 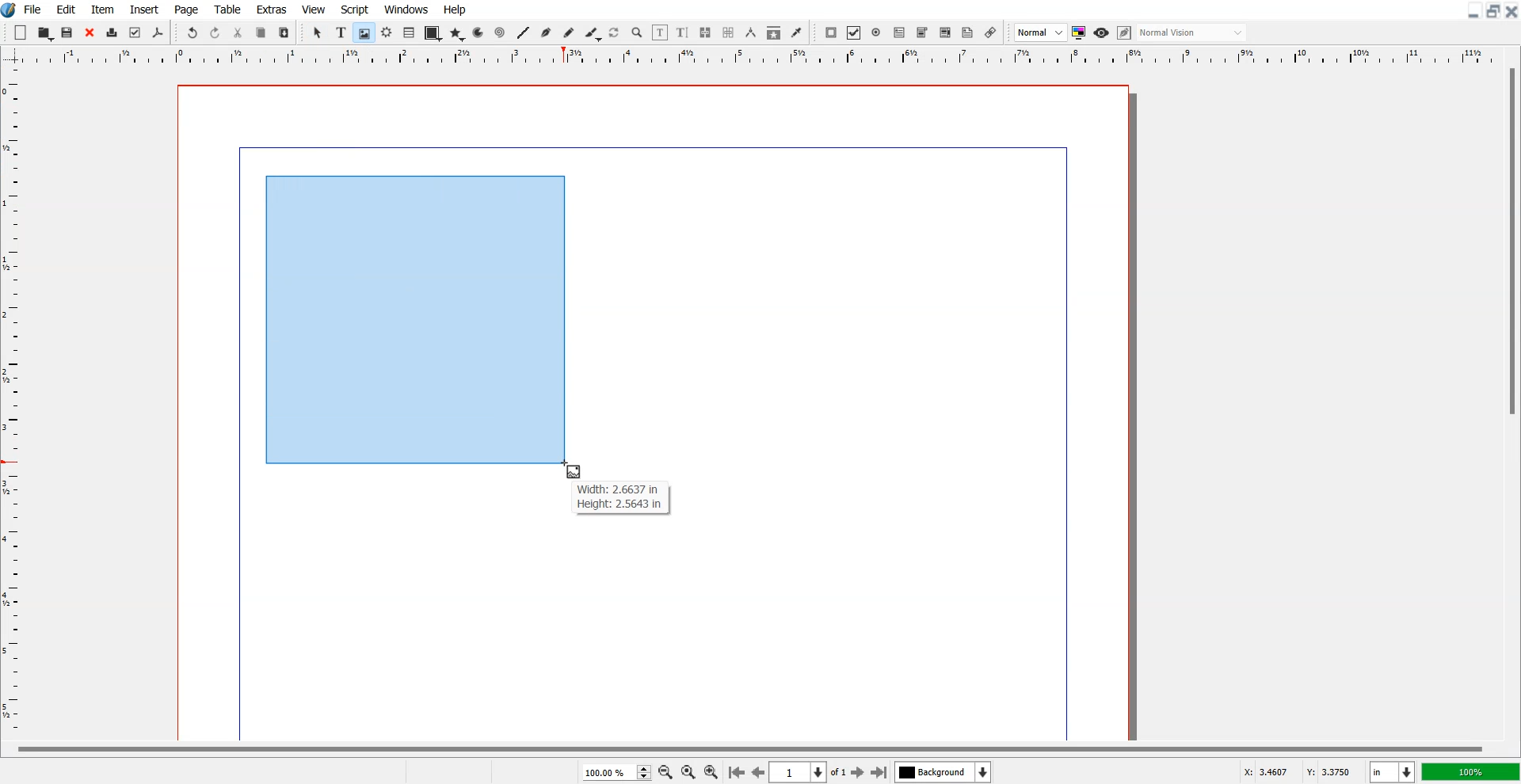 I want to click on Edit, so click(x=66, y=9).